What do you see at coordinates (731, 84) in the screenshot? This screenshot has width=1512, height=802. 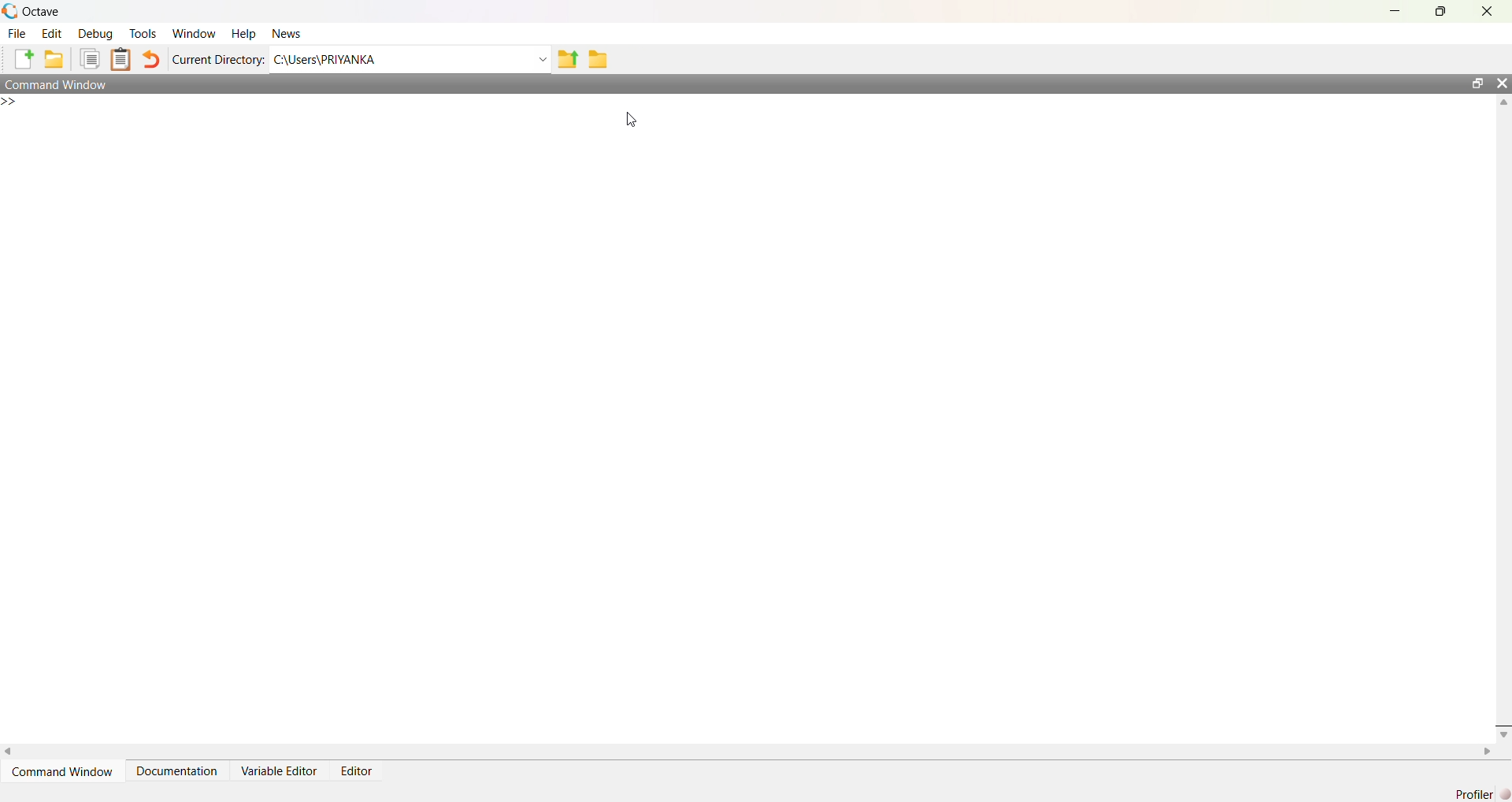 I see `Command Window` at bounding box center [731, 84].